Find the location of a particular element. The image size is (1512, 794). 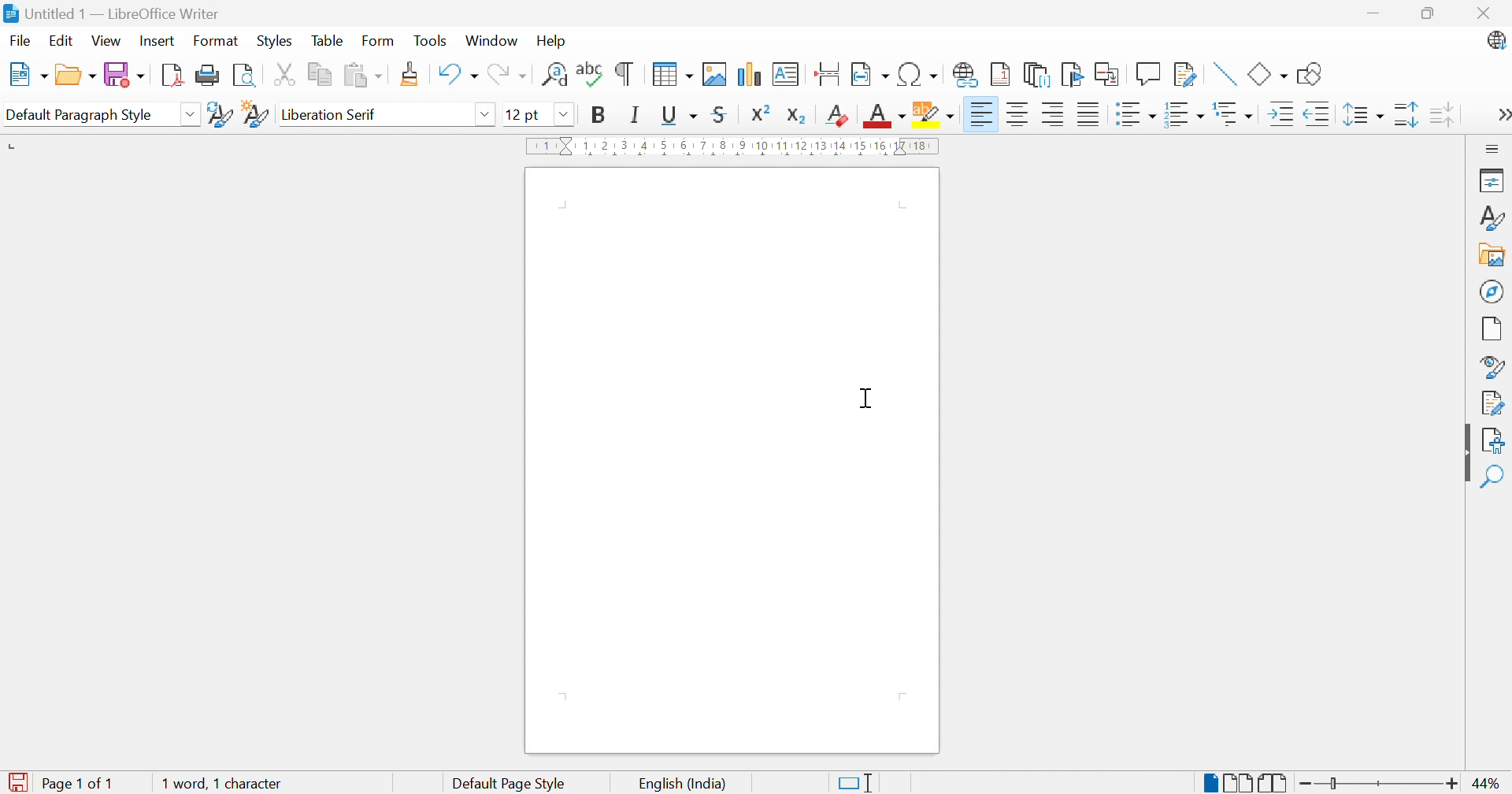

Strikethrough is located at coordinates (718, 117).